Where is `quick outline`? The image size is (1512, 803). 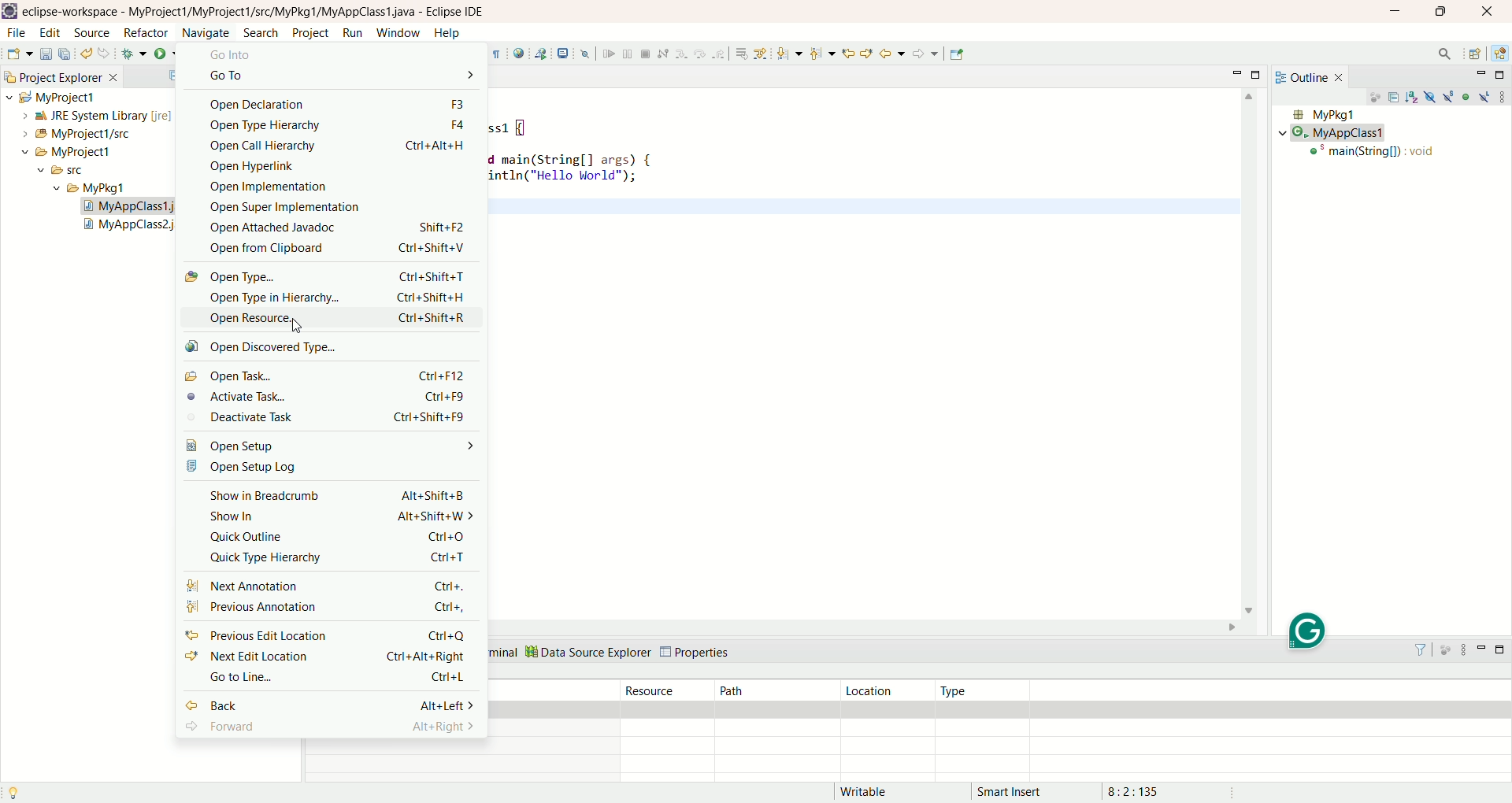 quick outline is located at coordinates (329, 537).